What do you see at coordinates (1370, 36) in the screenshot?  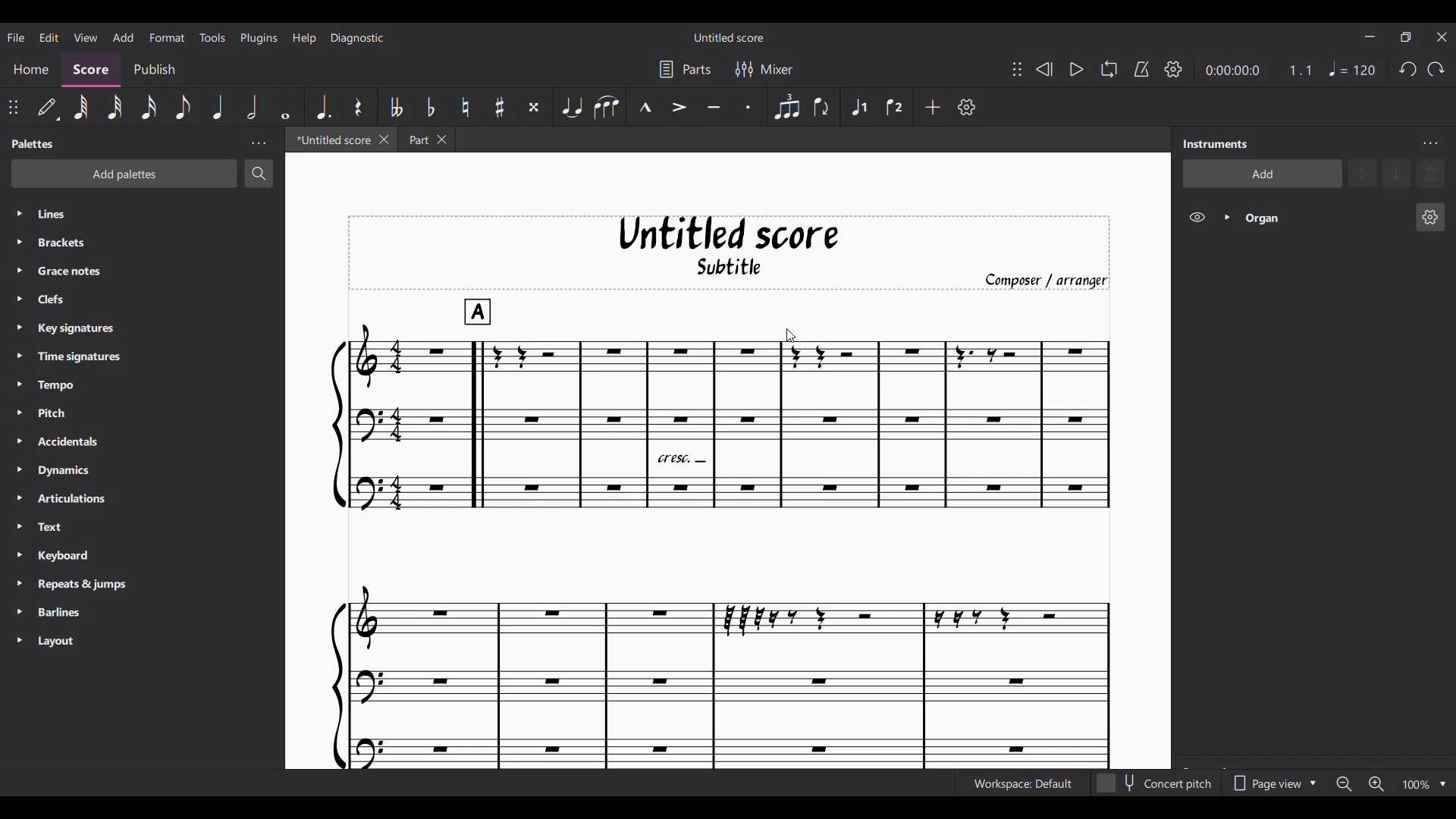 I see `Minimize` at bounding box center [1370, 36].